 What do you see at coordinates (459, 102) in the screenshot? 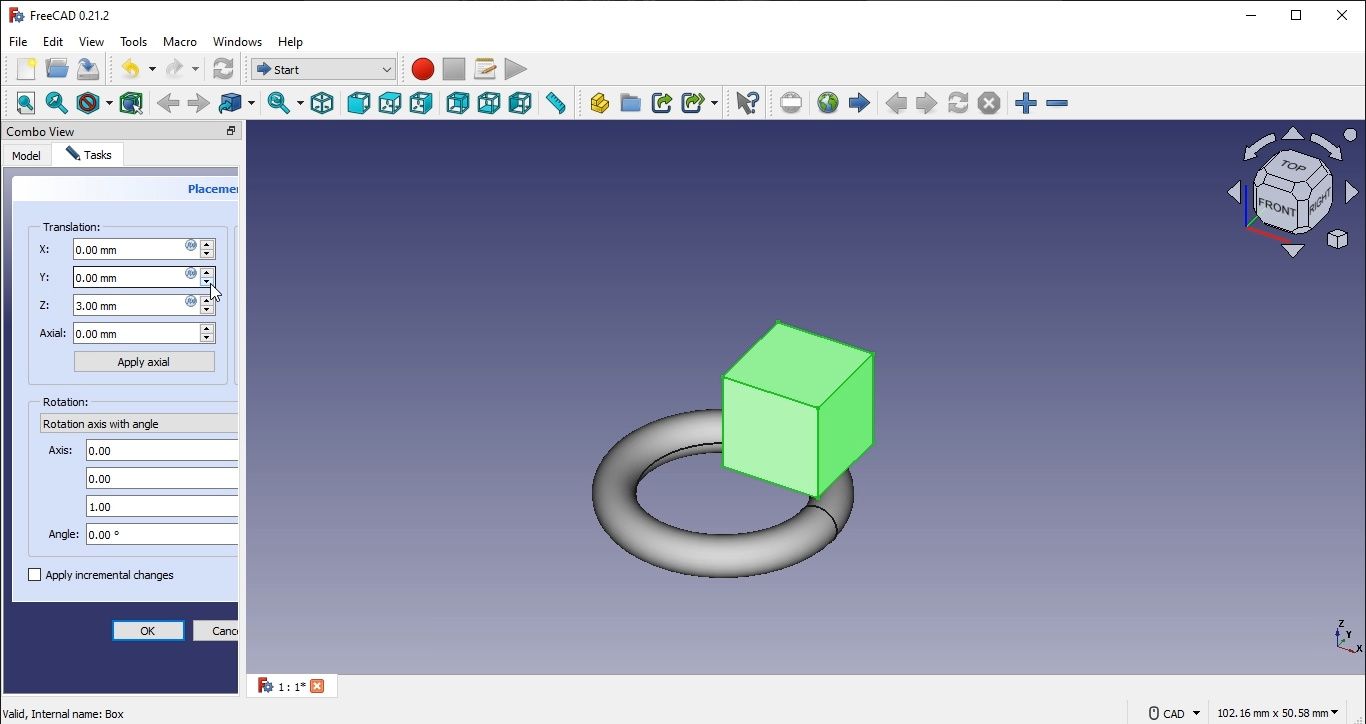
I see `rear` at bounding box center [459, 102].